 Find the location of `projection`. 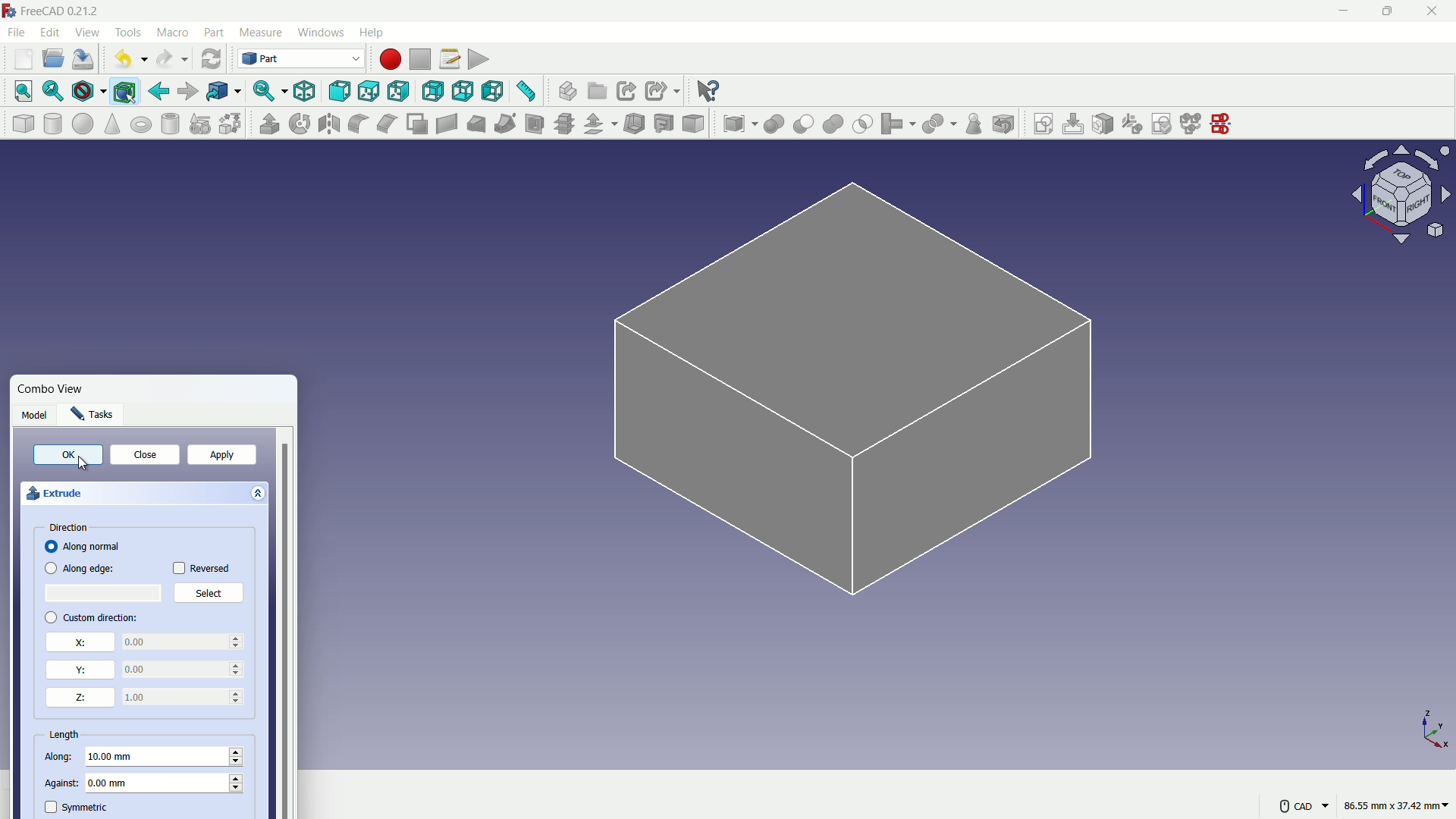

projection is located at coordinates (664, 124).